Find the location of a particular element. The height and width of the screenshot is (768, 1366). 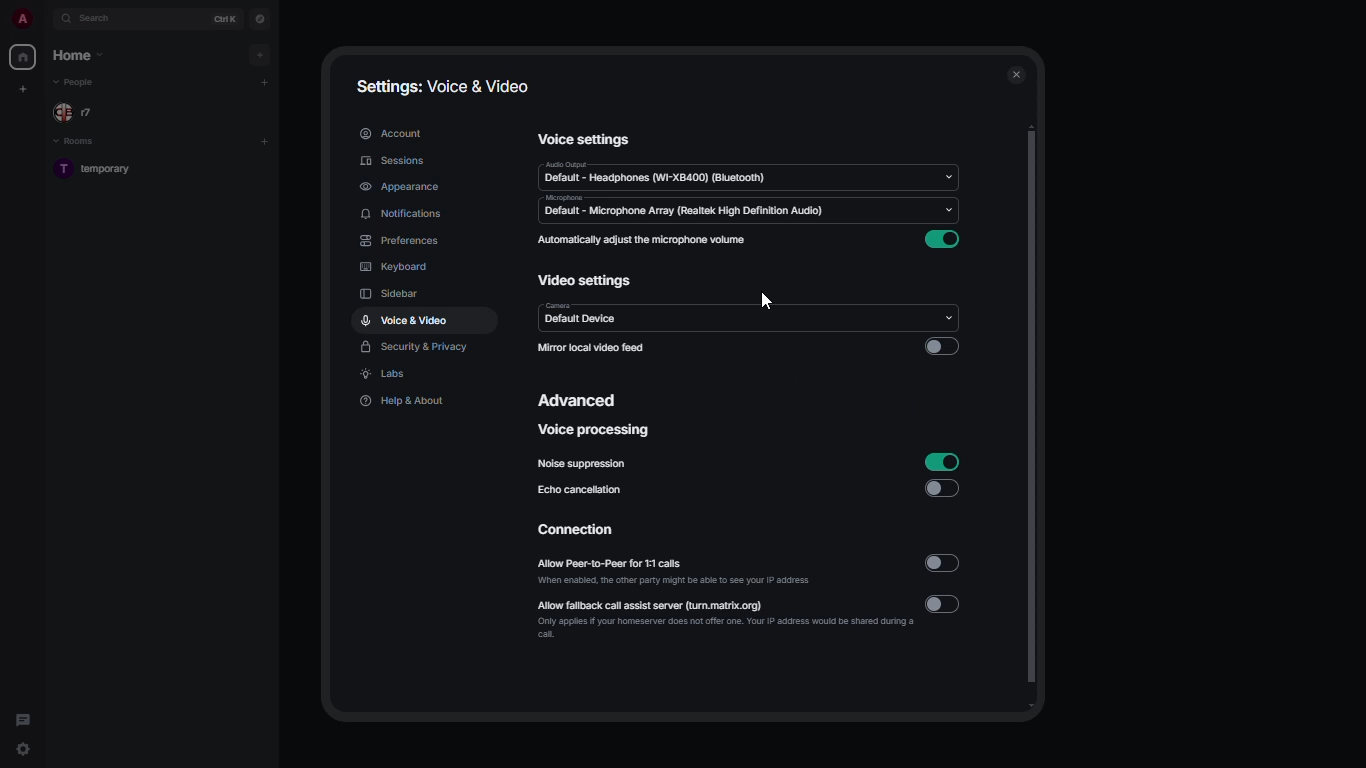

disabled is located at coordinates (945, 602).